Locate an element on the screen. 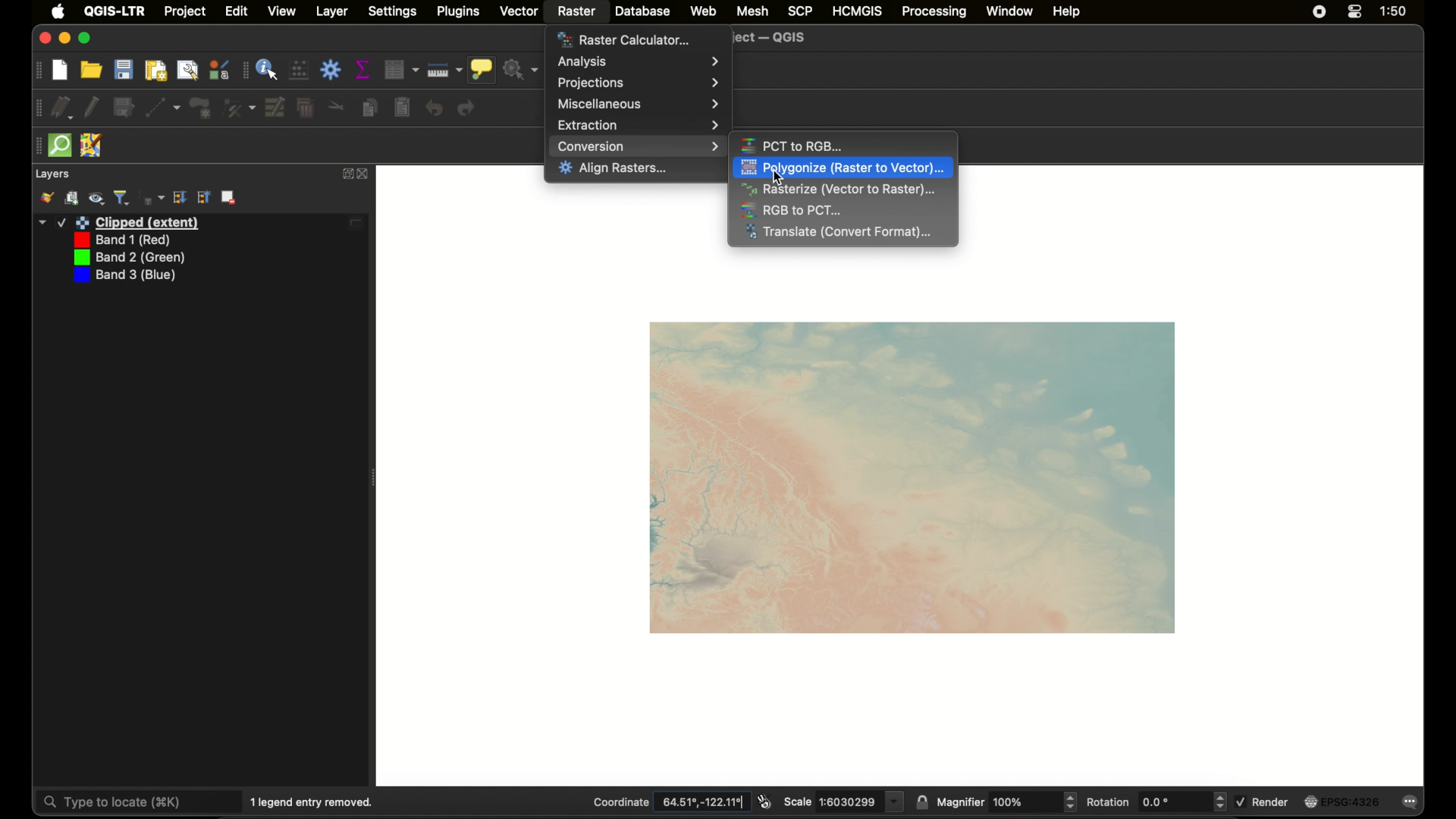 The image size is (1456, 819). analysis is located at coordinates (639, 61).